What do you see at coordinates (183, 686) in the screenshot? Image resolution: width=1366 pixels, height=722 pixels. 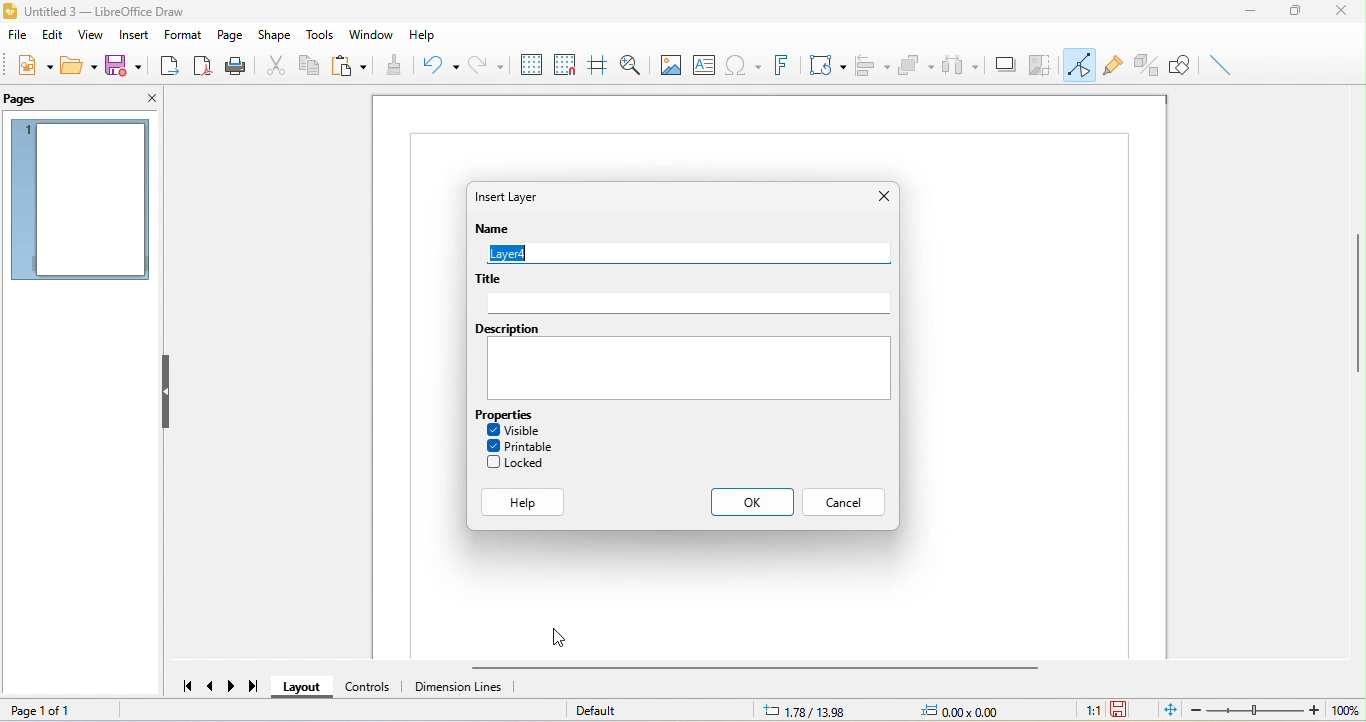 I see `first page` at bounding box center [183, 686].